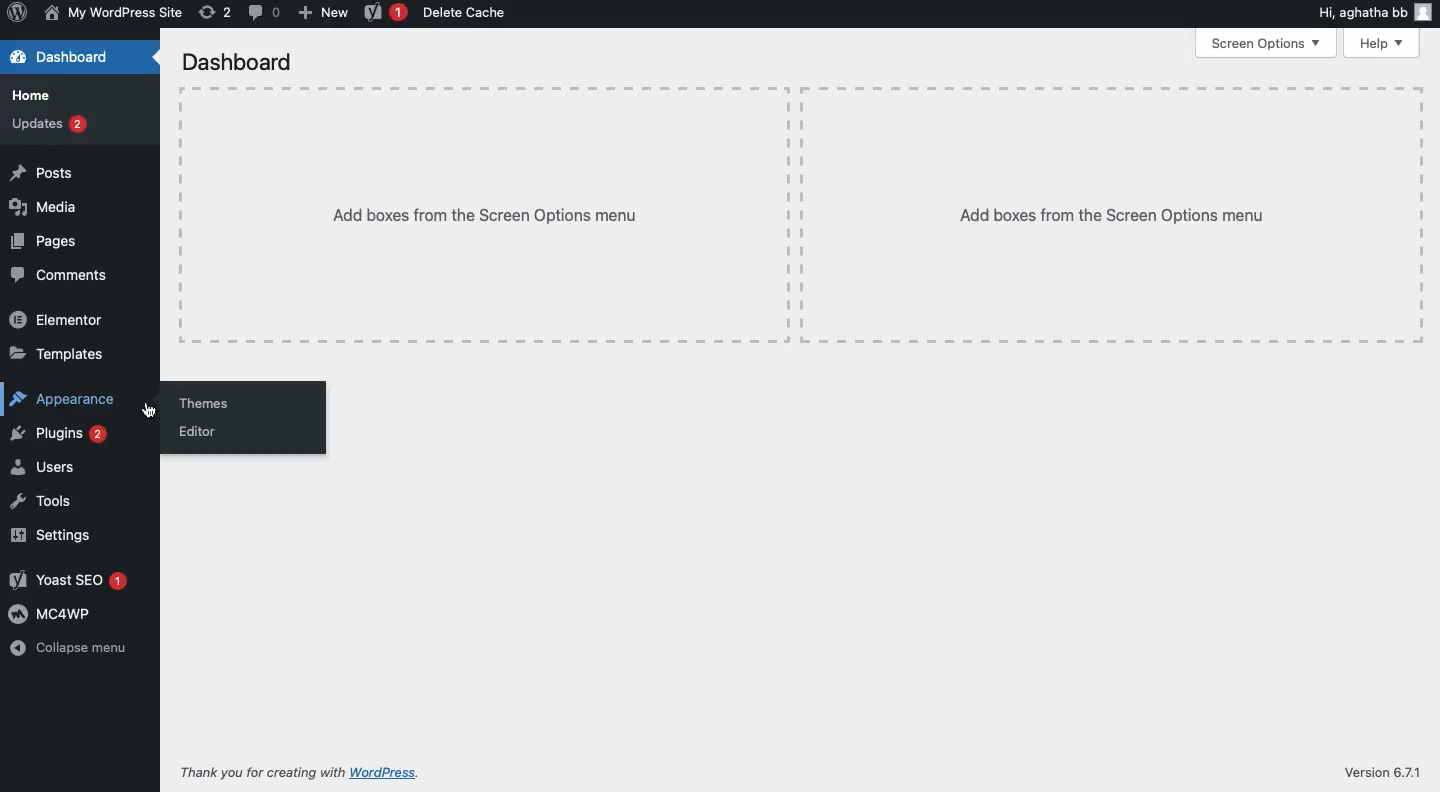 The width and height of the screenshot is (1440, 792). What do you see at coordinates (1270, 44) in the screenshot?
I see `Screen options` at bounding box center [1270, 44].